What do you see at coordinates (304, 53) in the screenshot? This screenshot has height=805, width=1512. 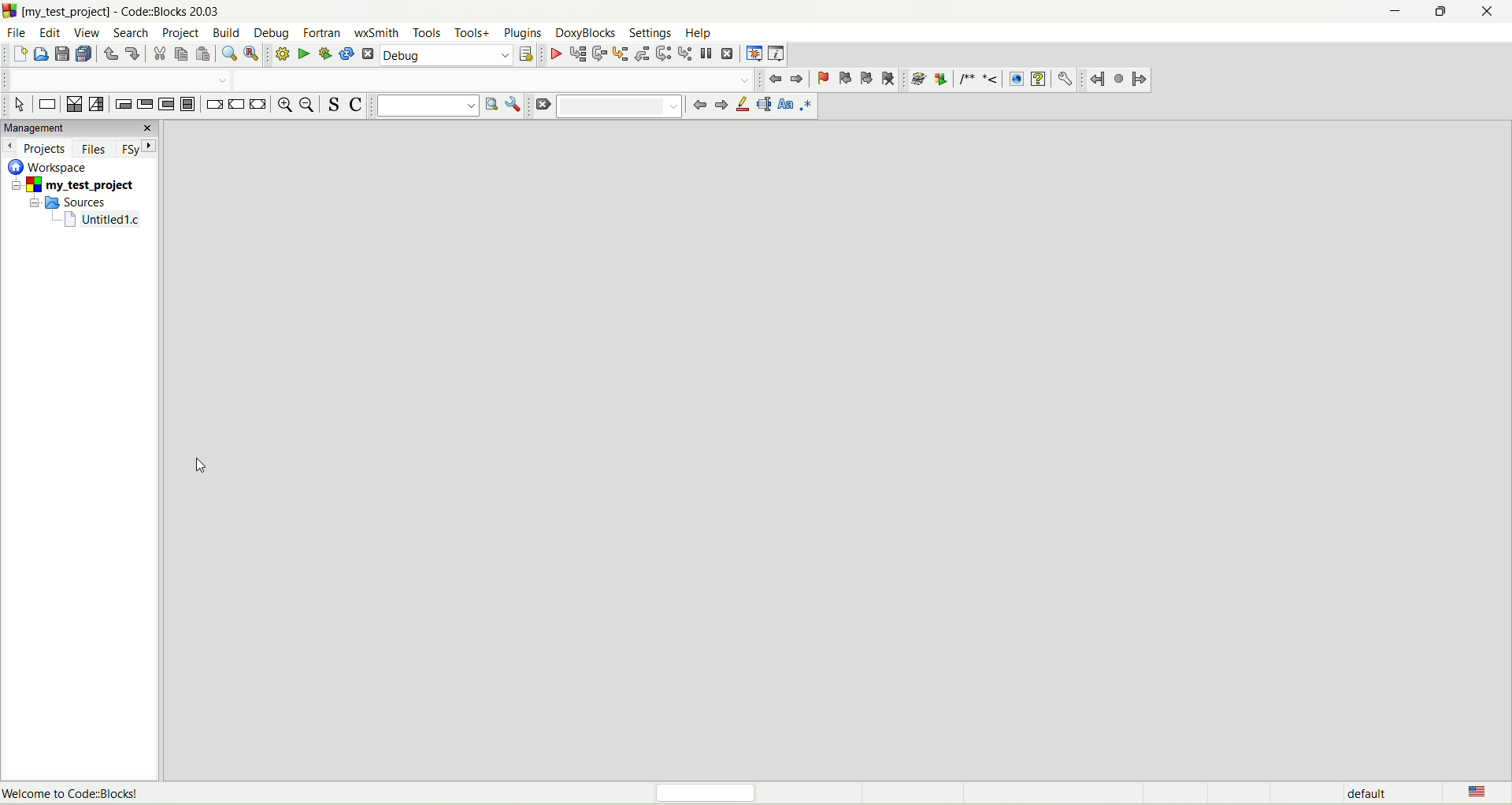 I see `run` at bounding box center [304, 53].